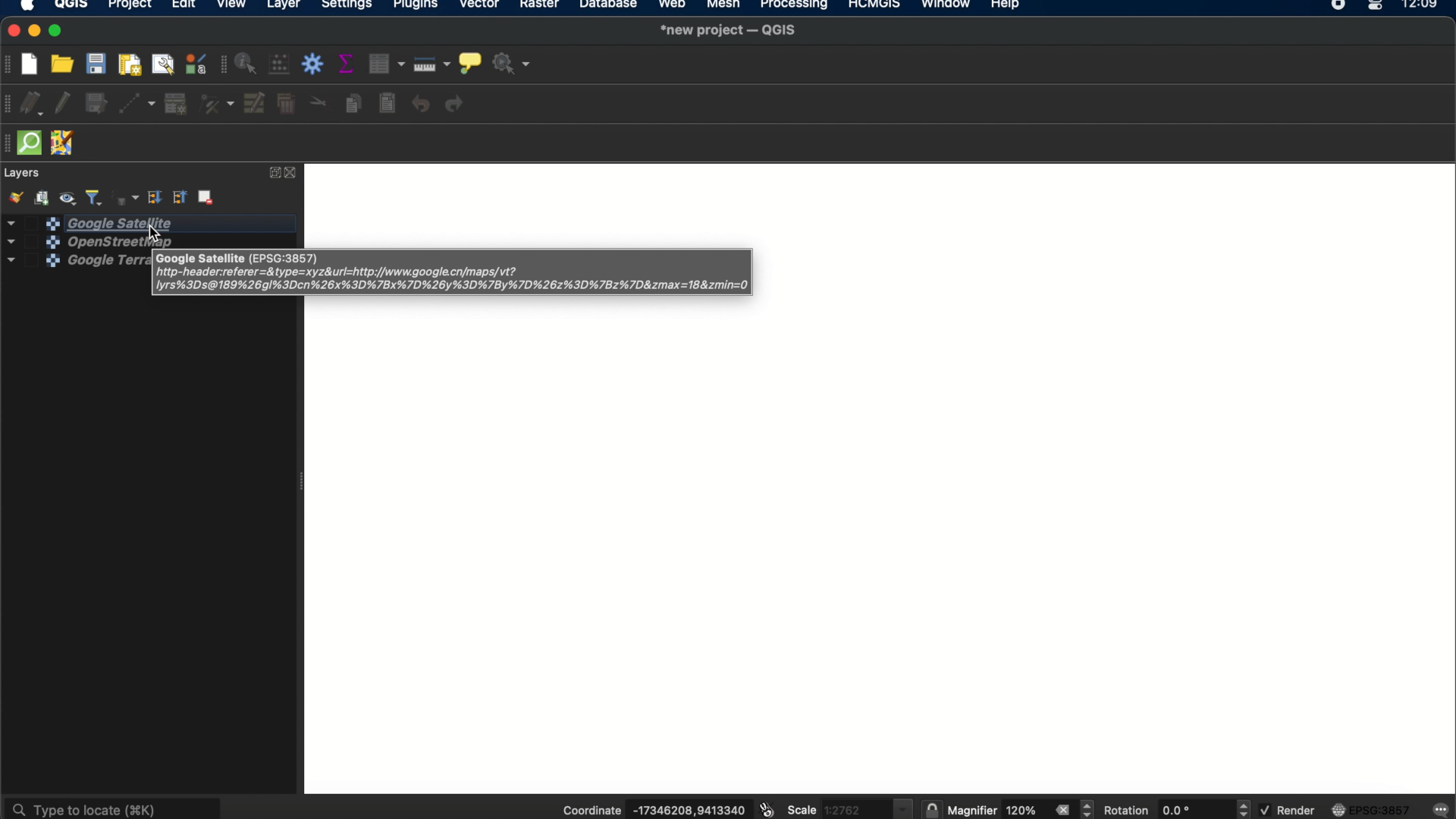  What do you see at coordinates (1062, 810) in the screenshot?
I see `close` at bounding box center [1062, 810].